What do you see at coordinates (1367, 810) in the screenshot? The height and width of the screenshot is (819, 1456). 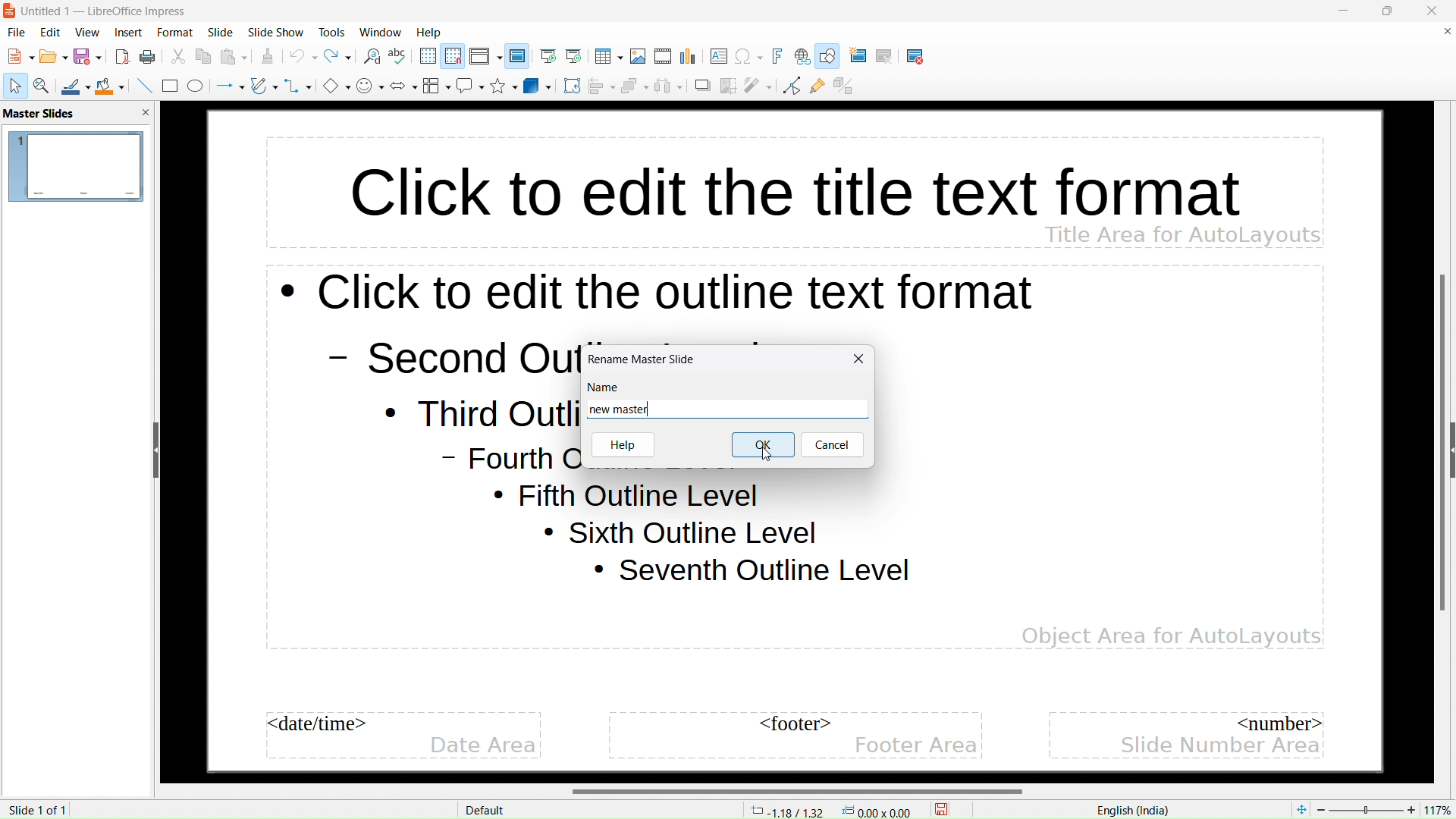 I see `Zoom percent` at bounding box center [1367, 810].